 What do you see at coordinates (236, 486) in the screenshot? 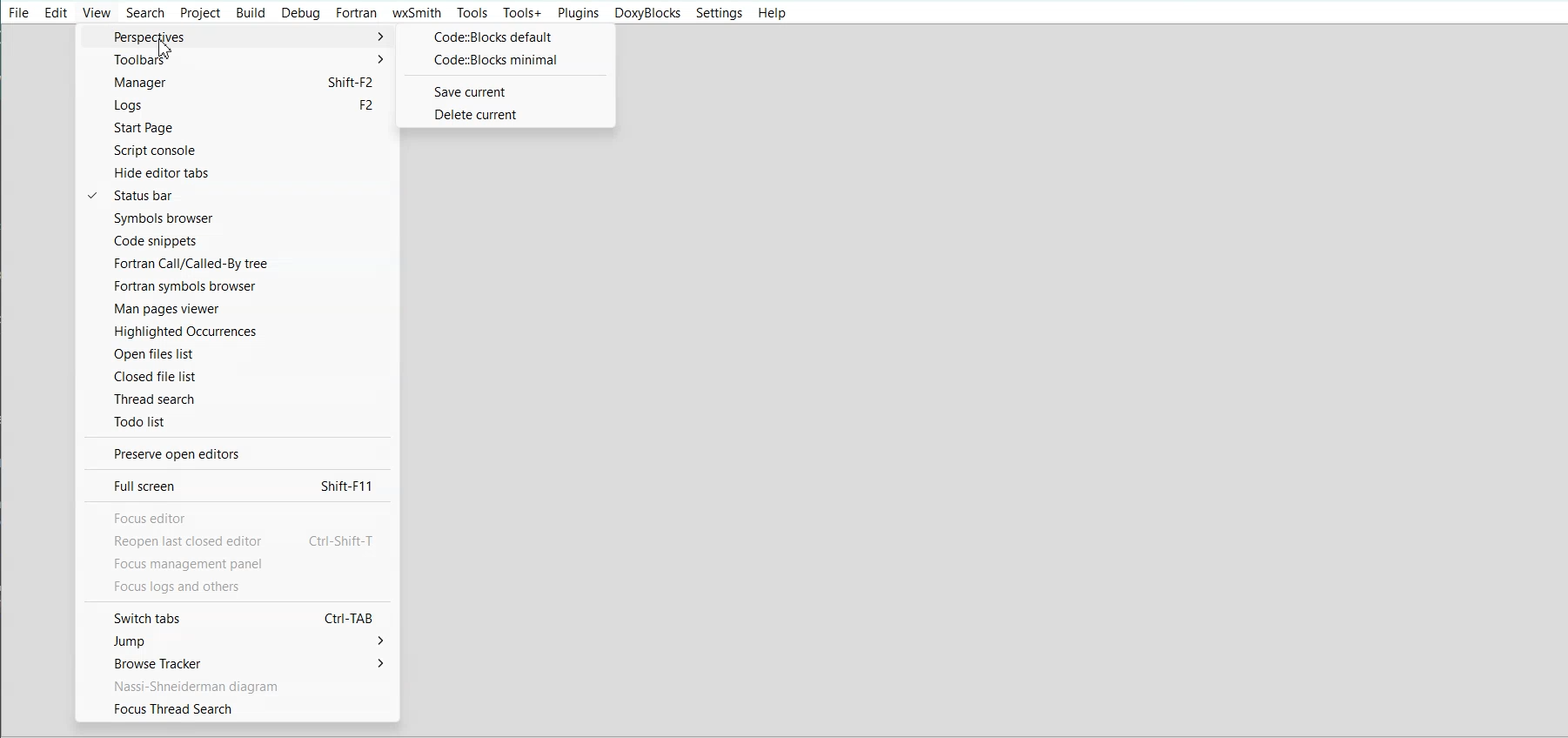
I see `Full screen` at bounding box center [236, 486].